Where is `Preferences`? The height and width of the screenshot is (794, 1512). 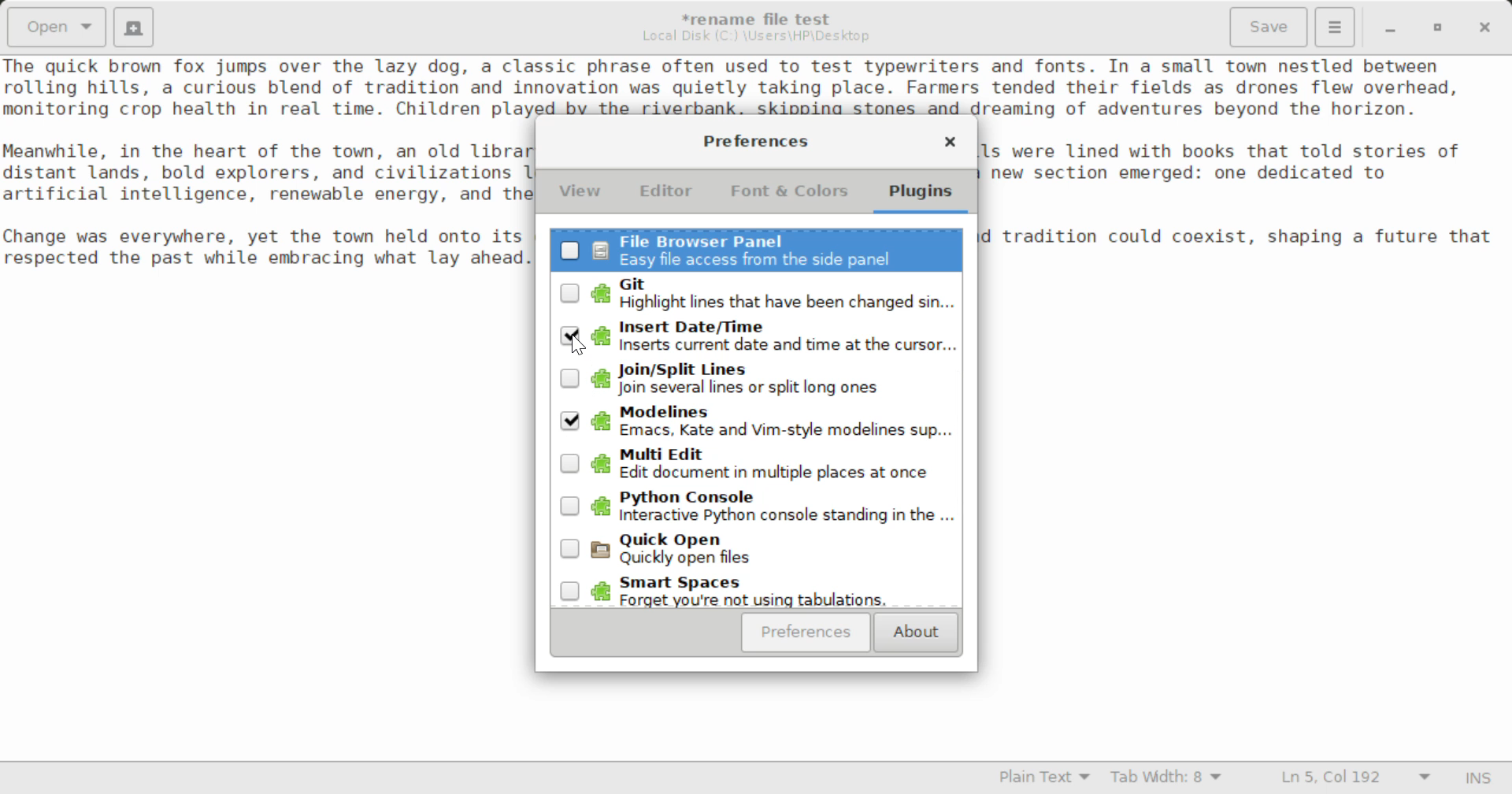
Preferences is located at coordinates (806, 633).